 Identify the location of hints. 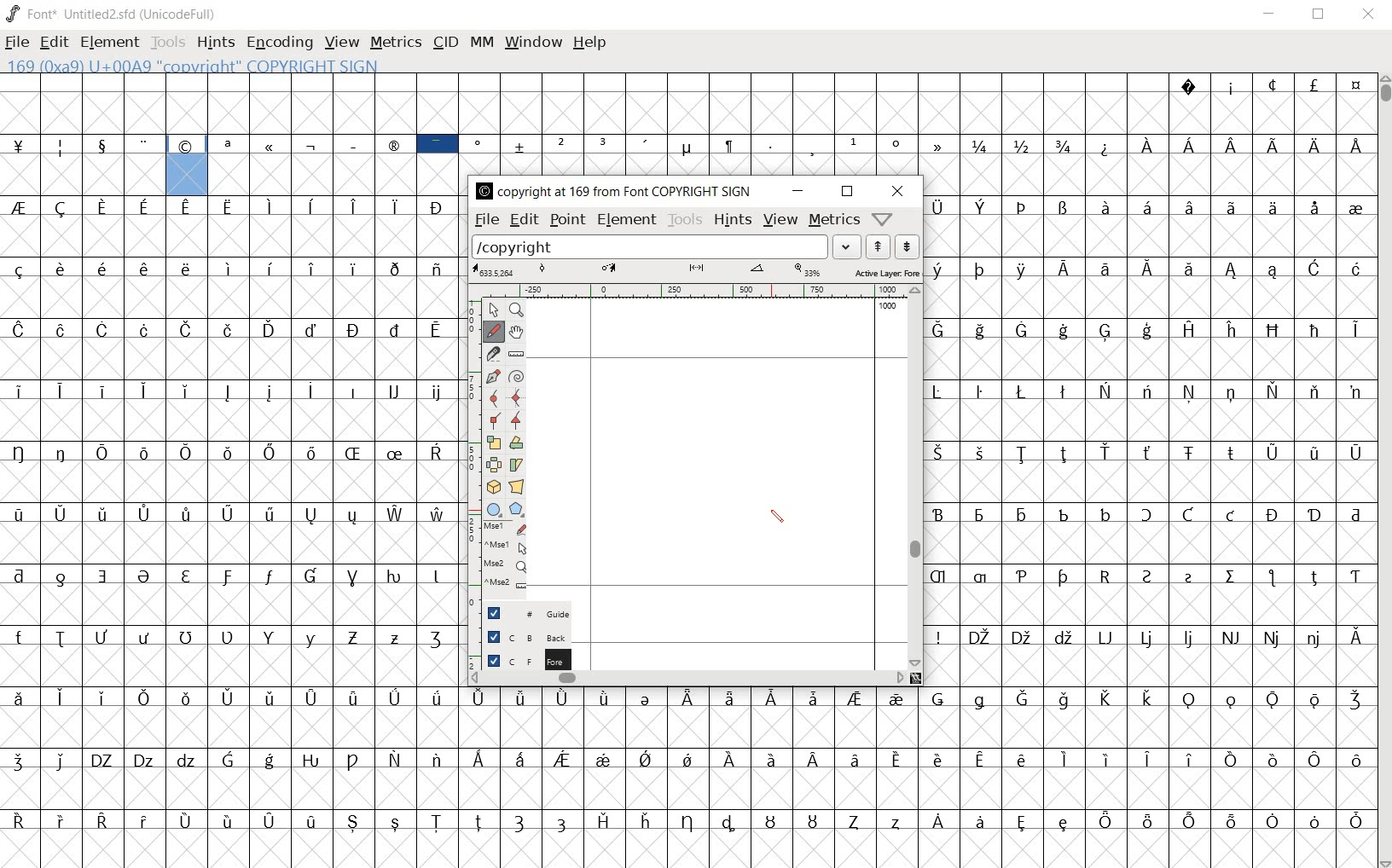
(731, 219).